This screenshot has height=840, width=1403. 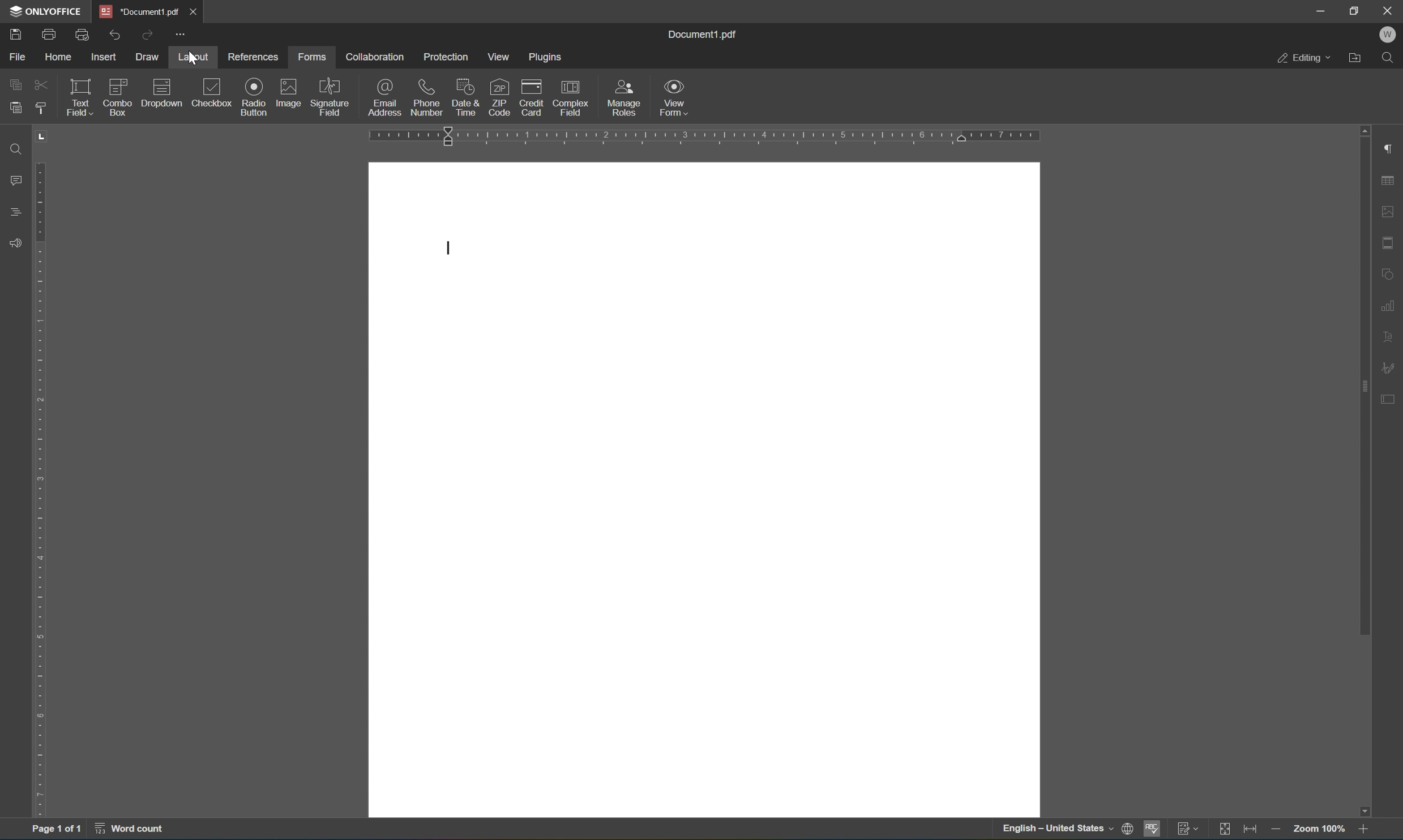 I want to click on W, so click(x=1387, y=34).